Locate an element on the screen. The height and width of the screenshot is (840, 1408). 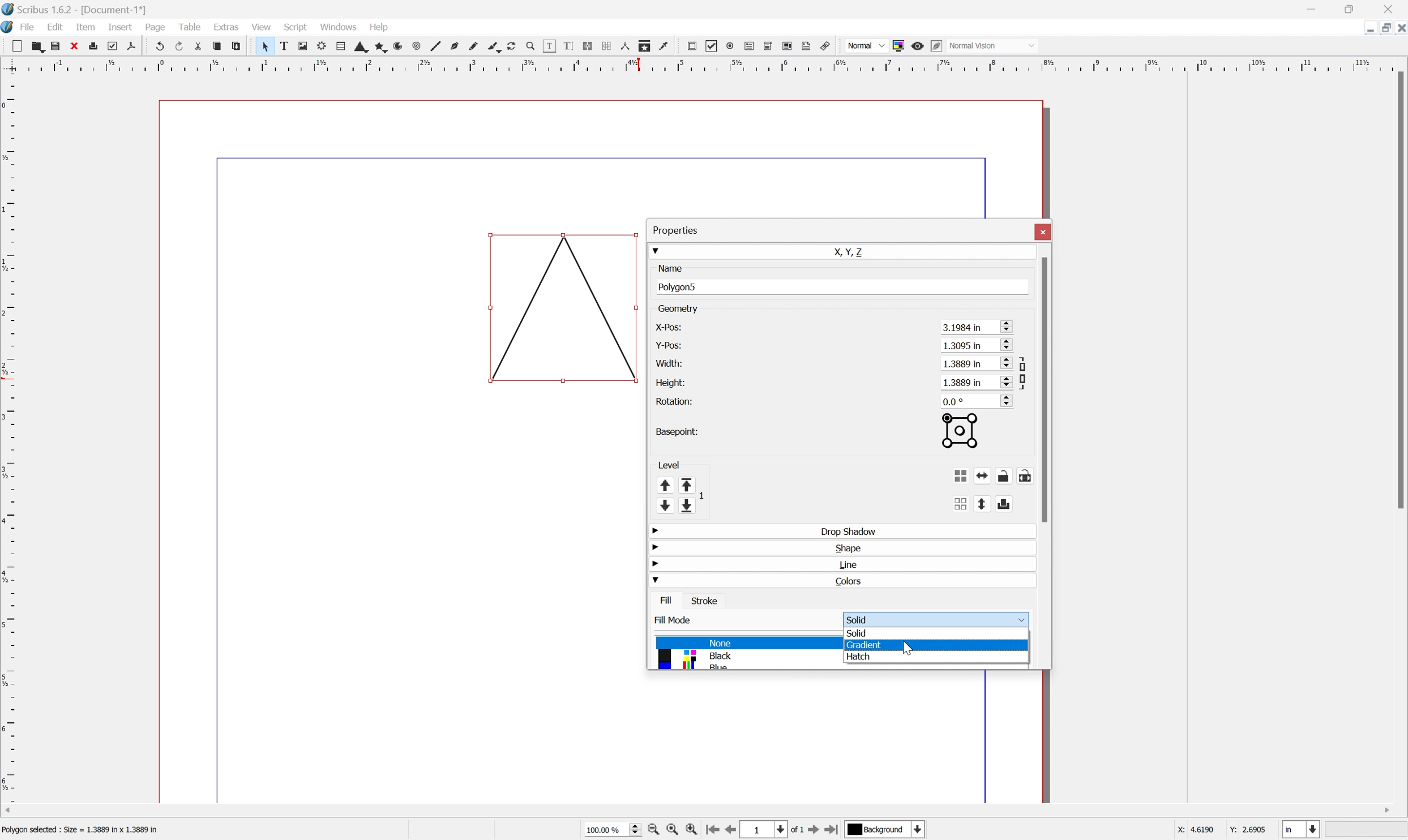
Copy item properties is located at coordinates (645, 47).